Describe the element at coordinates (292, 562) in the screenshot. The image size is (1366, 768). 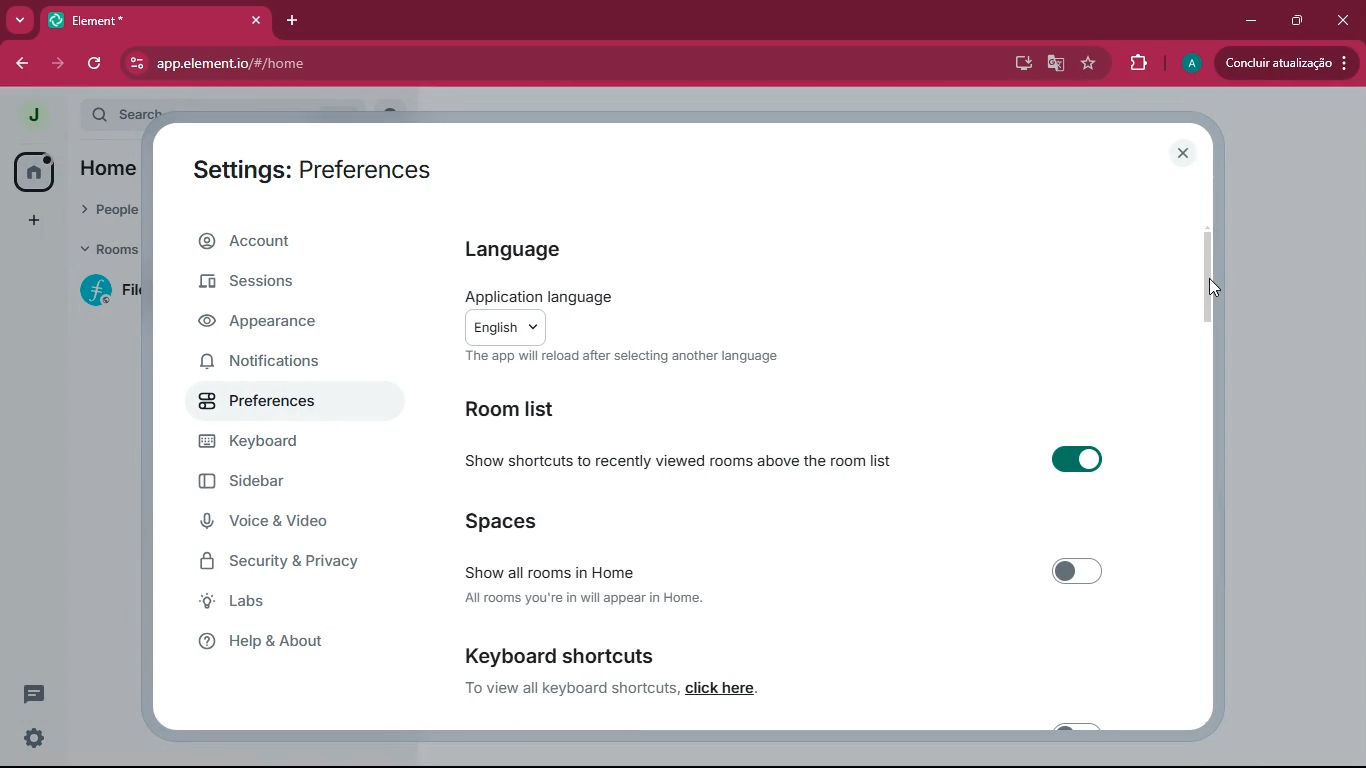
I see `security & privacy` at that location.